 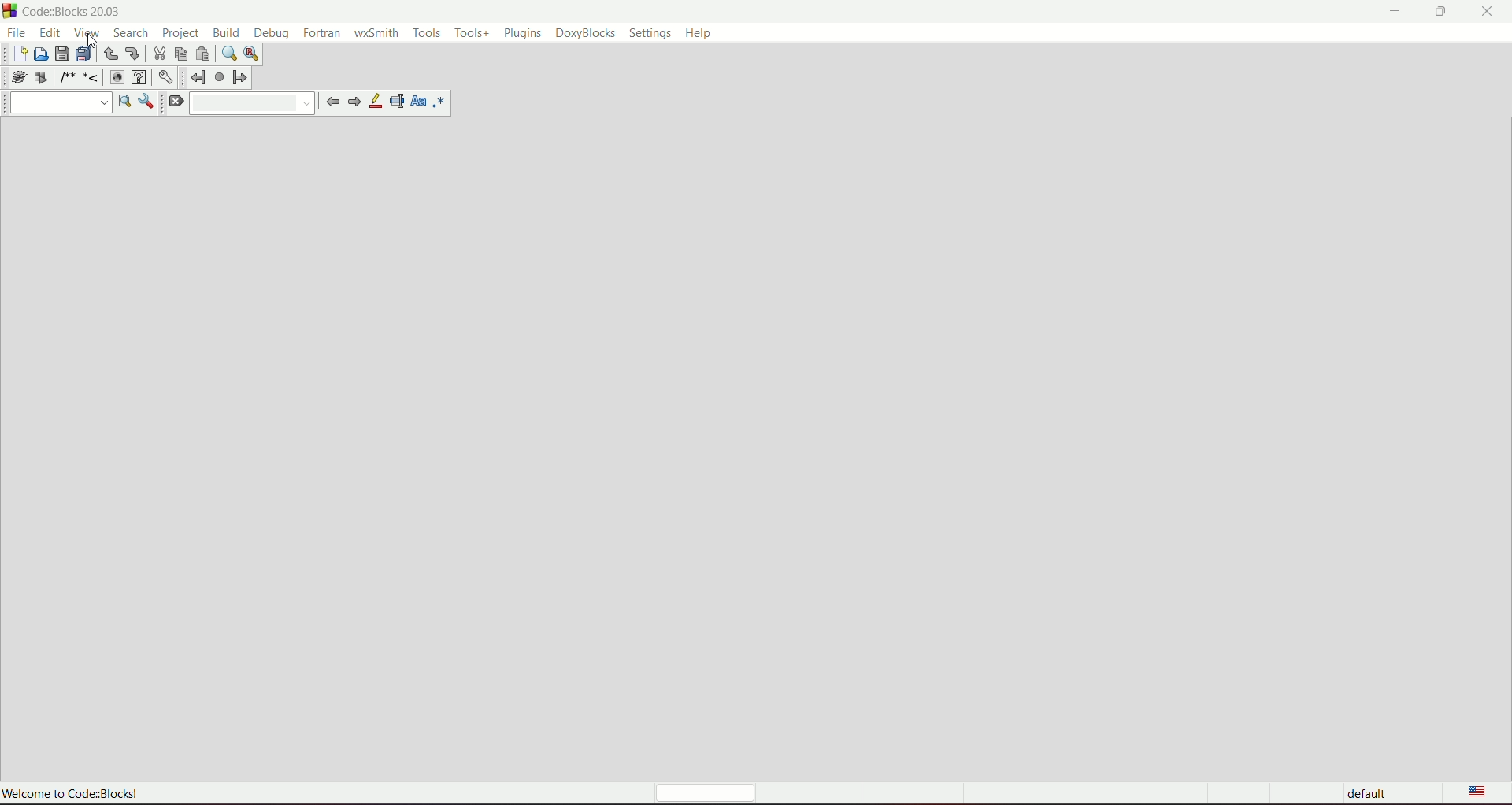 I want to click on project, so click(x=178, y=33).